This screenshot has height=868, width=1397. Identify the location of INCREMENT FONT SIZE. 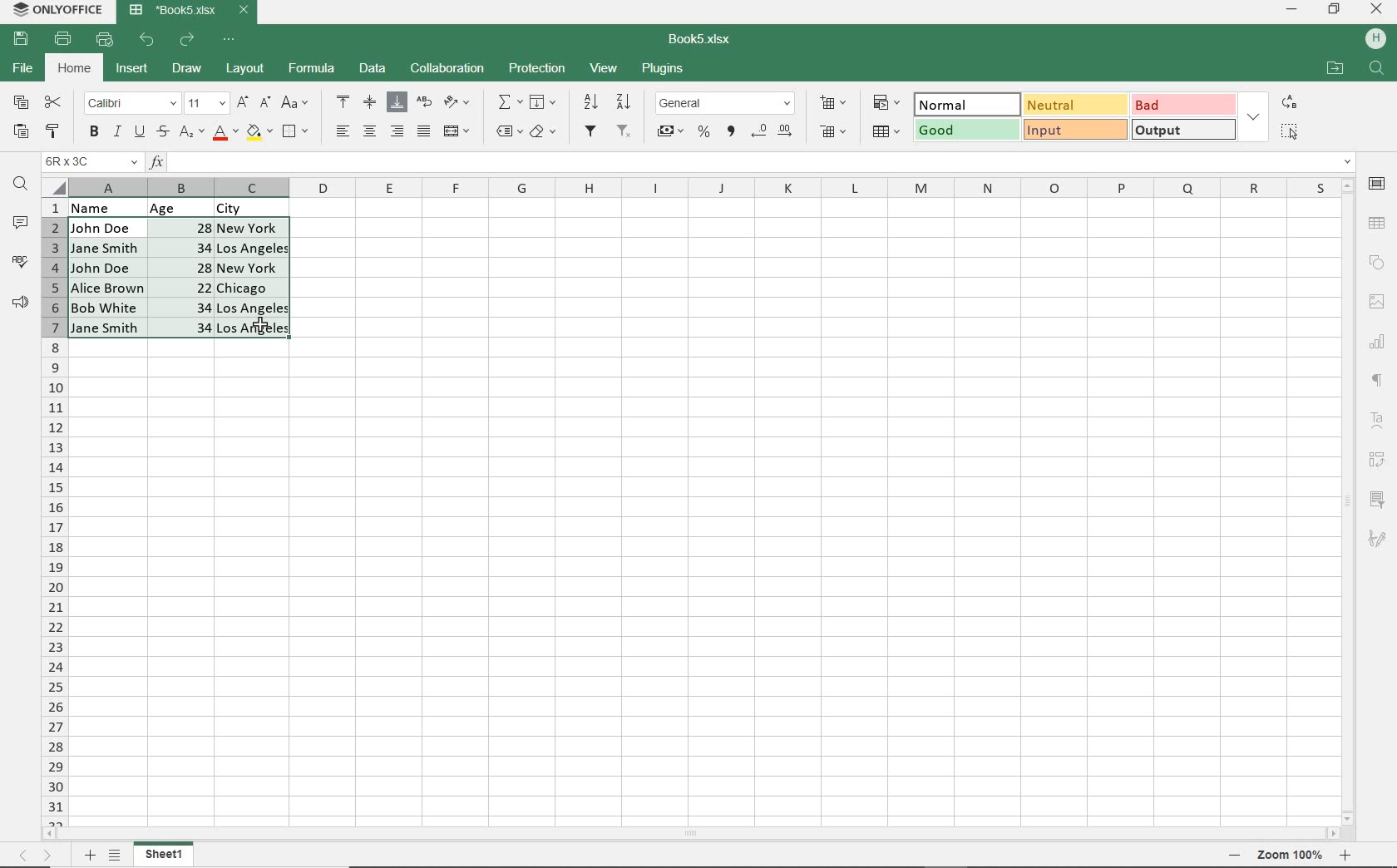
(243, 102).